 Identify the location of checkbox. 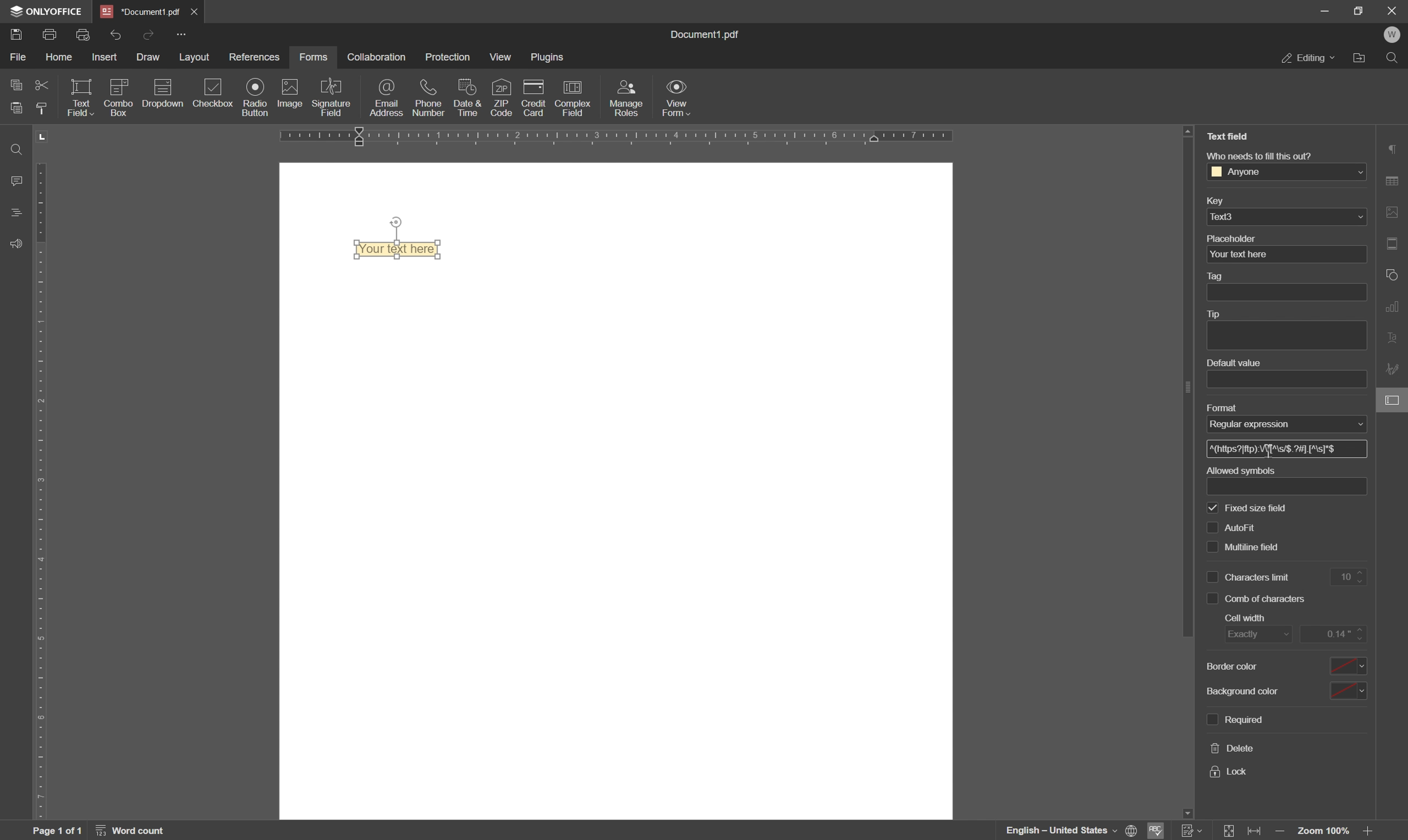
(1214, 507).